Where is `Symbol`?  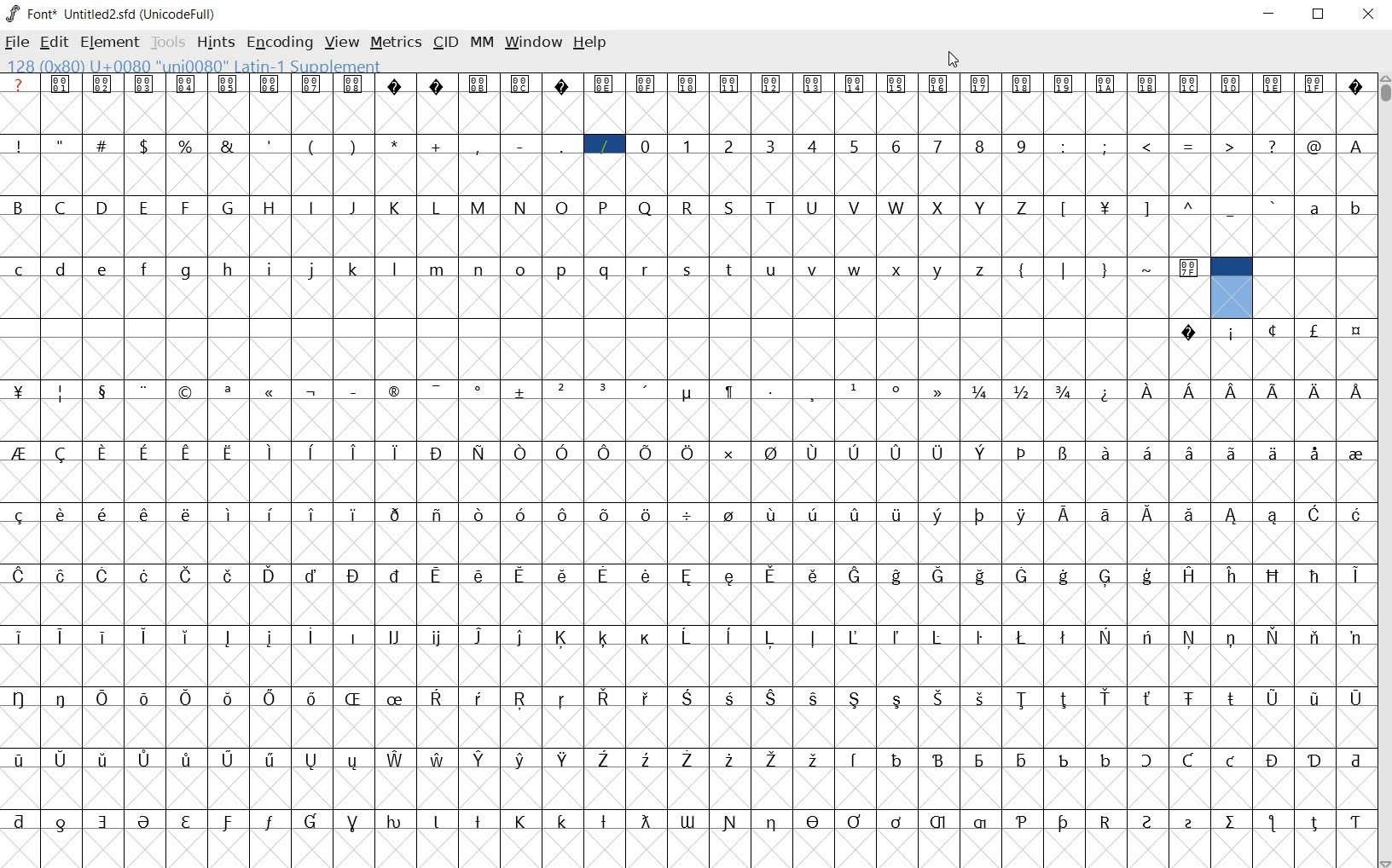
Symbol is located at coordinates (438, 512).